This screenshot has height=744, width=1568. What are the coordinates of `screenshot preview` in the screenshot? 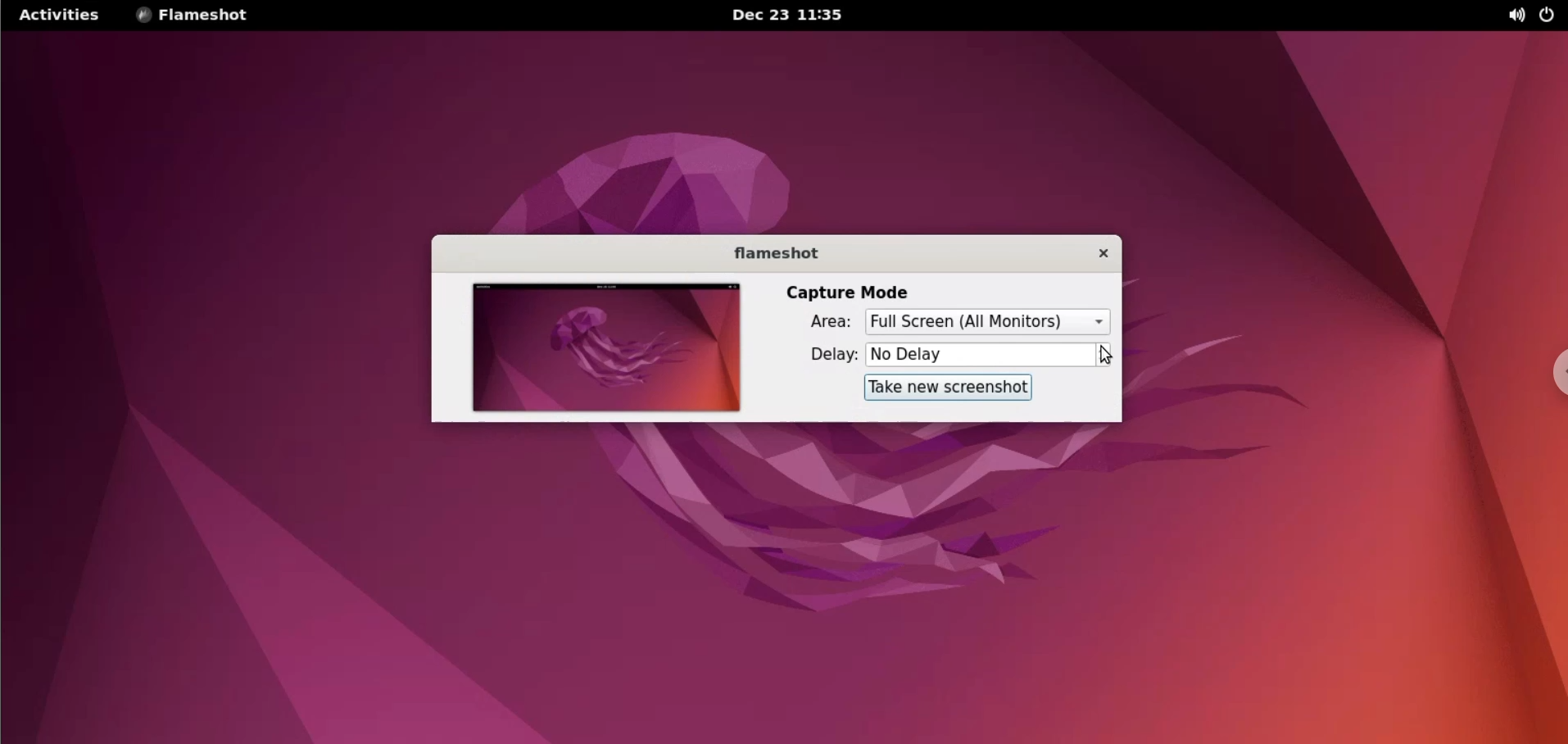 It's located at (603, 350).